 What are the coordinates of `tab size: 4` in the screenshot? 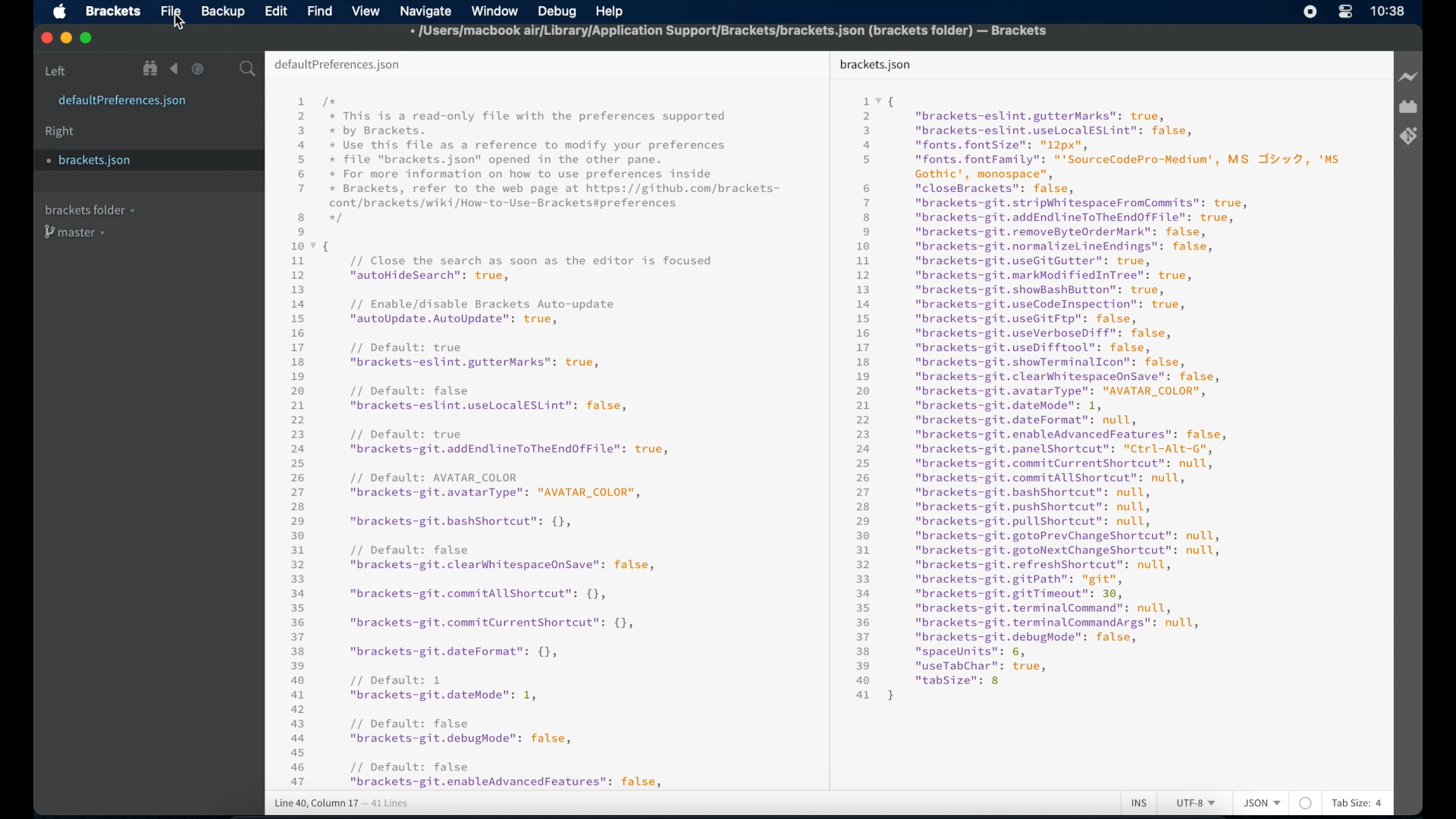 It's located at (1357, 802).